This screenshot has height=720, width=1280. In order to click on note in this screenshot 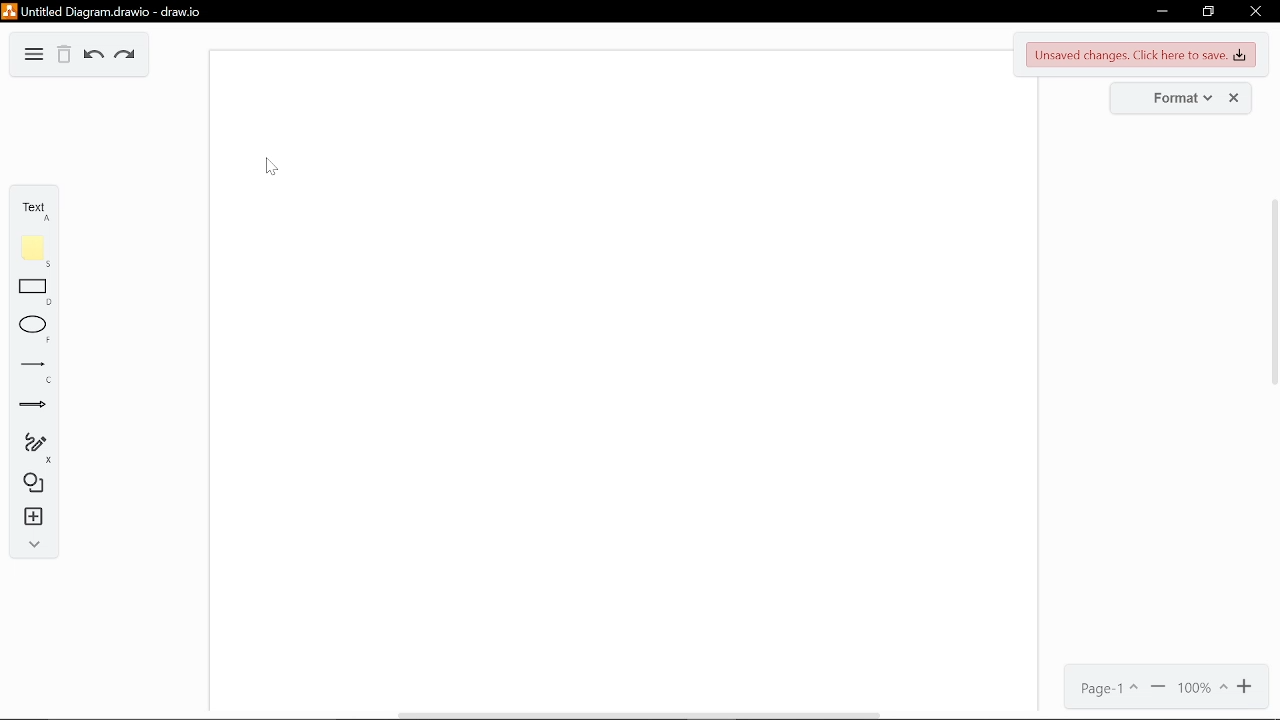, I will do `click(27, 249)`.